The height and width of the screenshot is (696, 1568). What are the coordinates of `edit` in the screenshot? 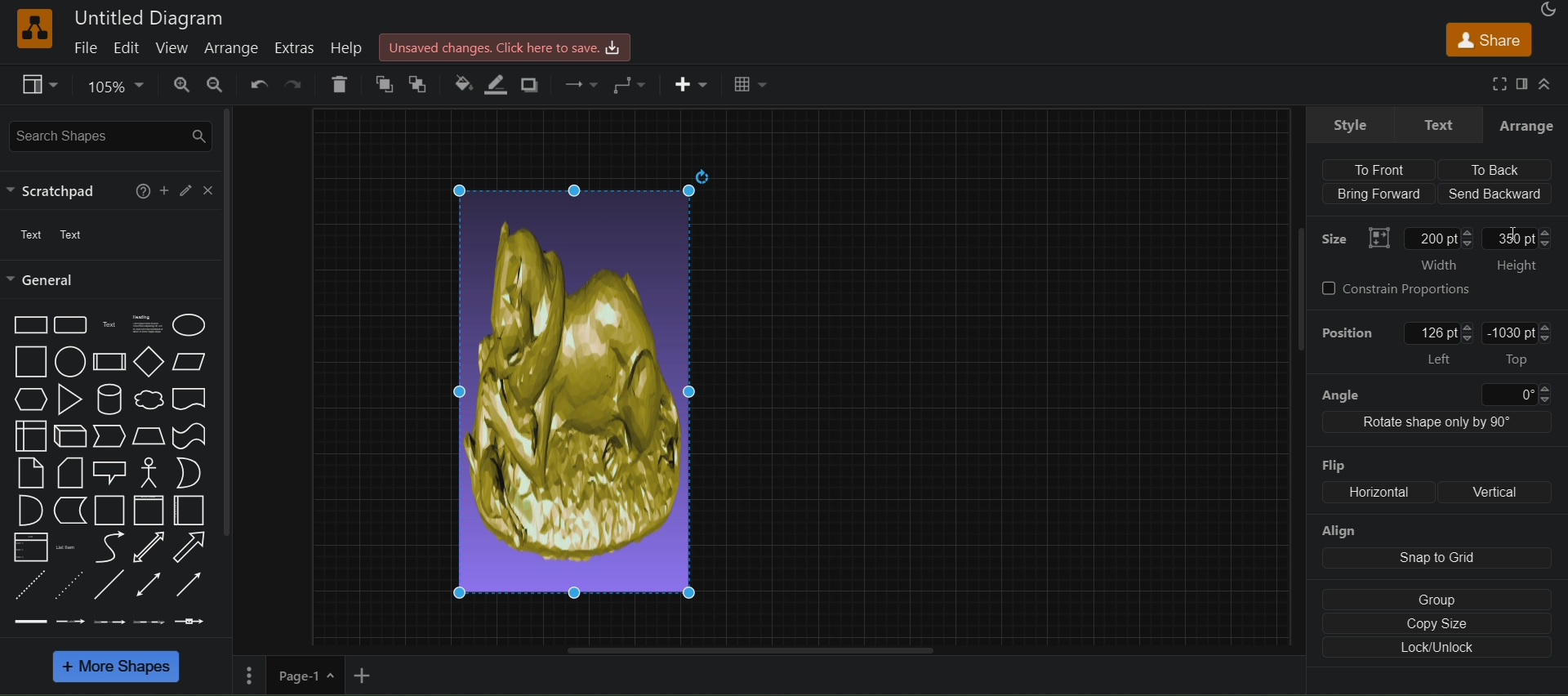 It's located at (185, 190).